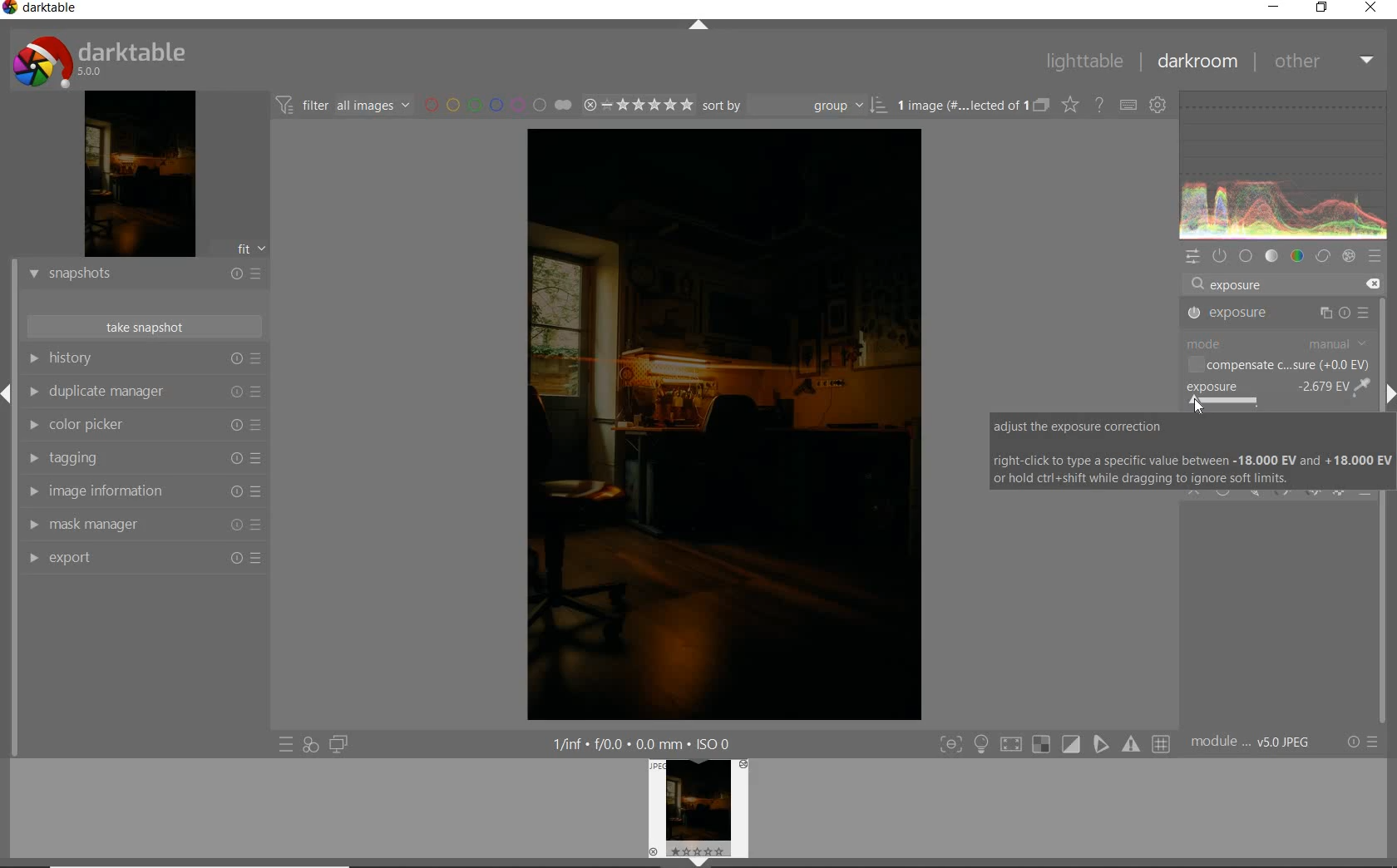 The width and height of the screenshot is (1397, 868). What do you see at coordinates (1200, 406) in the screenshot?
I see `cursor position` at bounding box center [1200, 406].